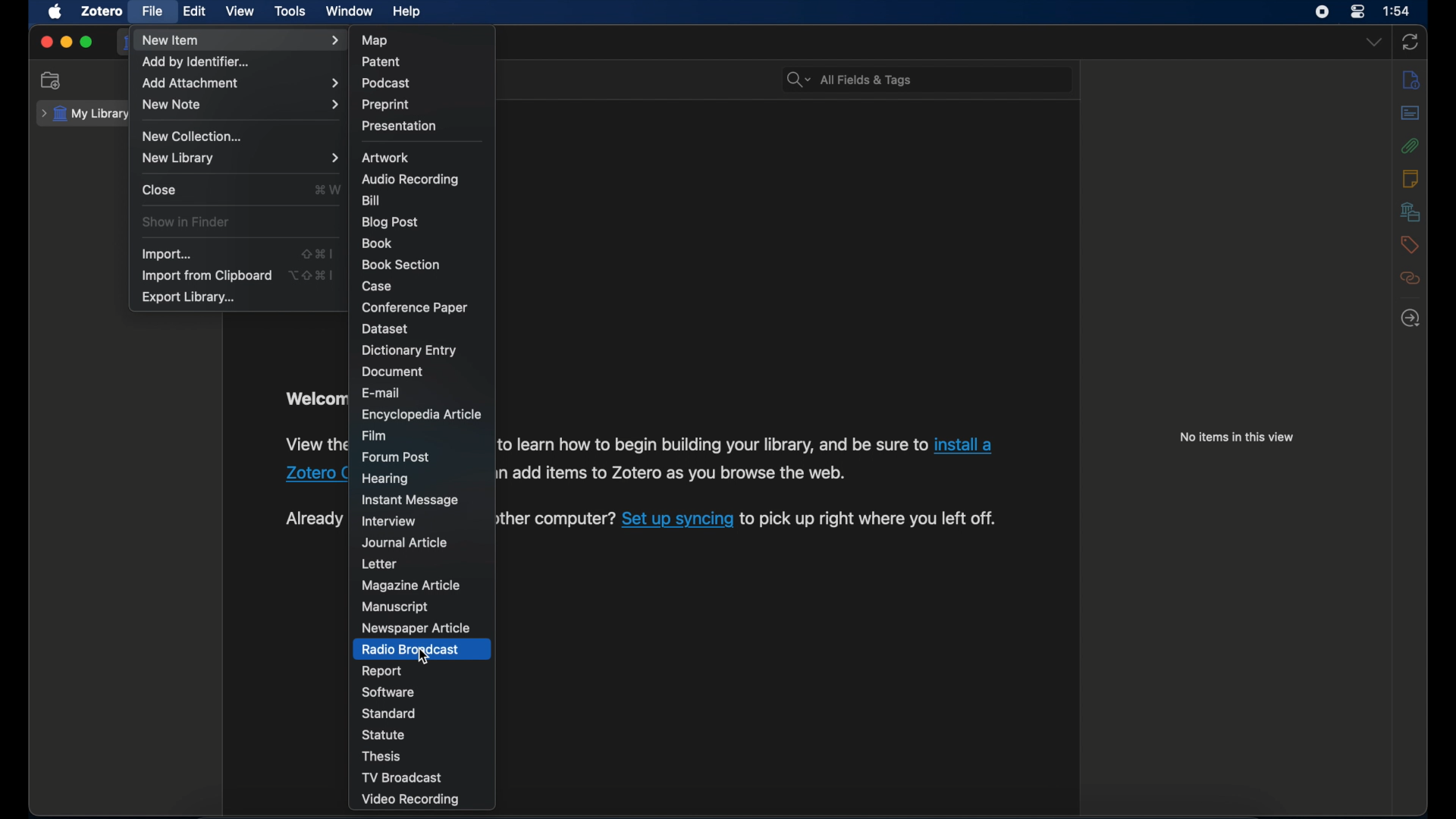 This screenshot has width=1456, height=819. What do you see at coordinates (195, 11) in the screenshot?
I see `edit` at bounding box center [195, 11].